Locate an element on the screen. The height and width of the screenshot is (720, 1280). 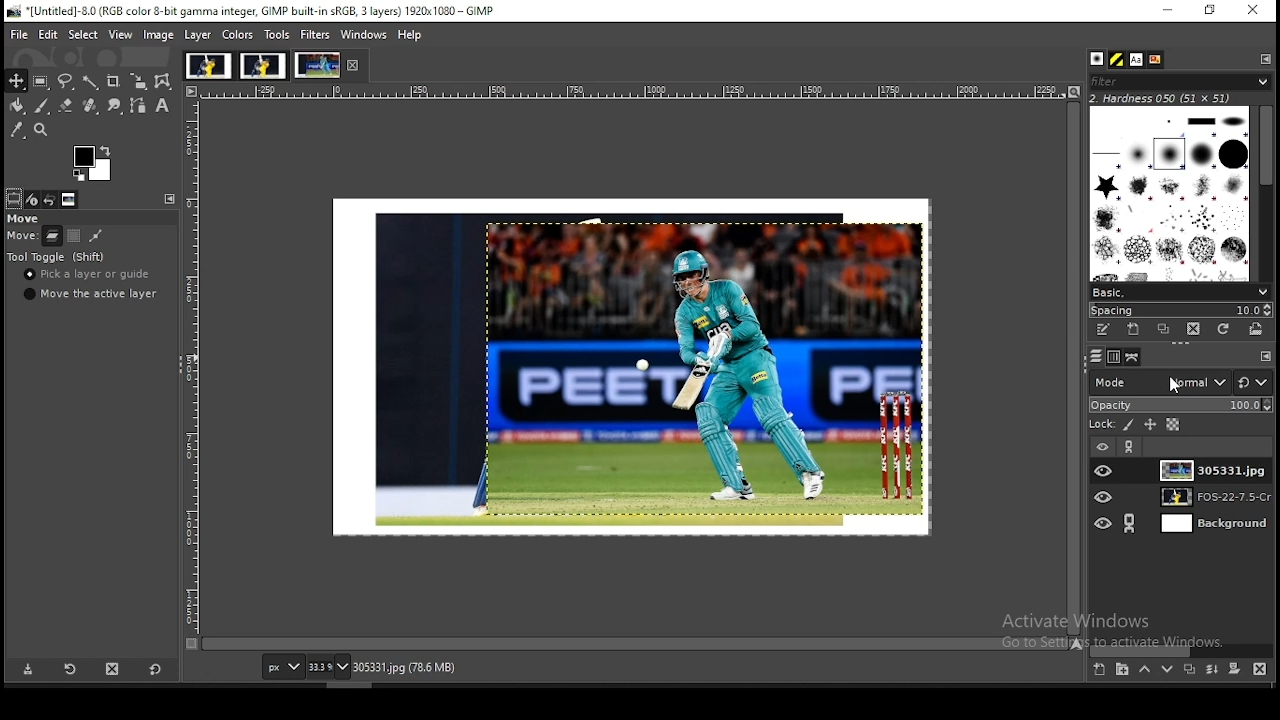
image is located at coordinates (208, 64).